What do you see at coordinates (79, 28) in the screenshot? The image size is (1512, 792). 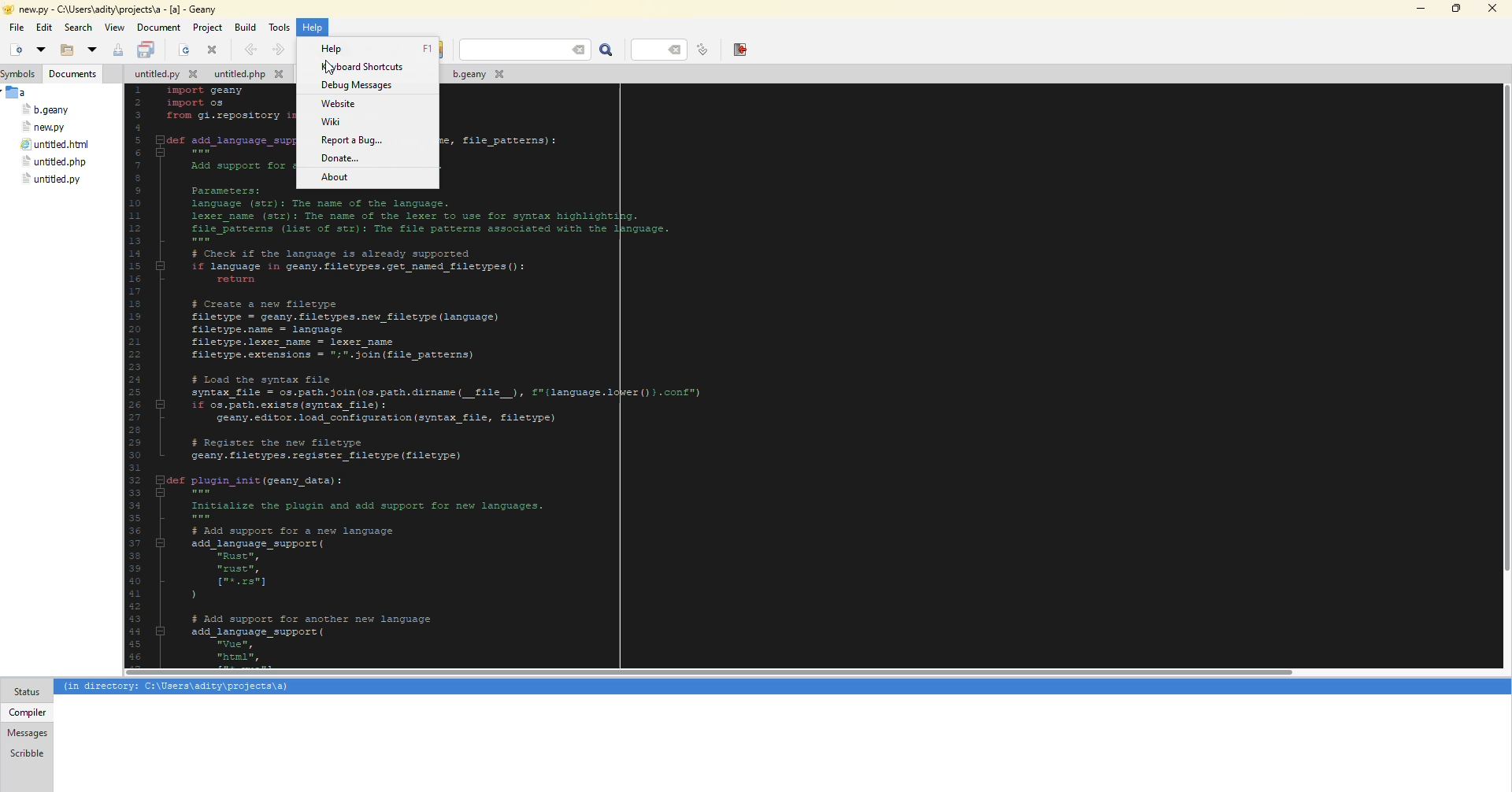 I see `search` at bounding box center [79, 28].